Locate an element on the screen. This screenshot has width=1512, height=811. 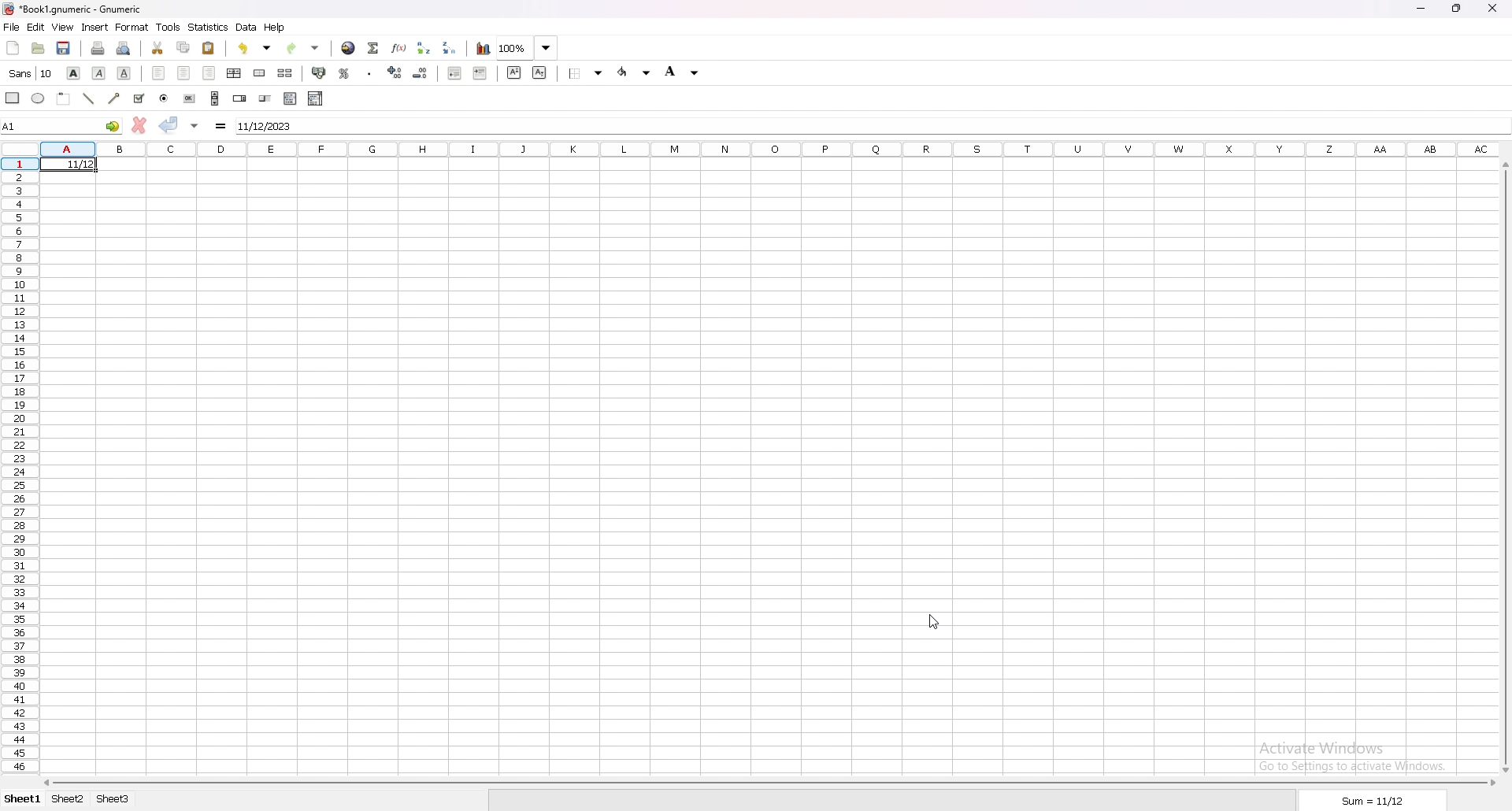
accounting is located at coordinates (319, 72).